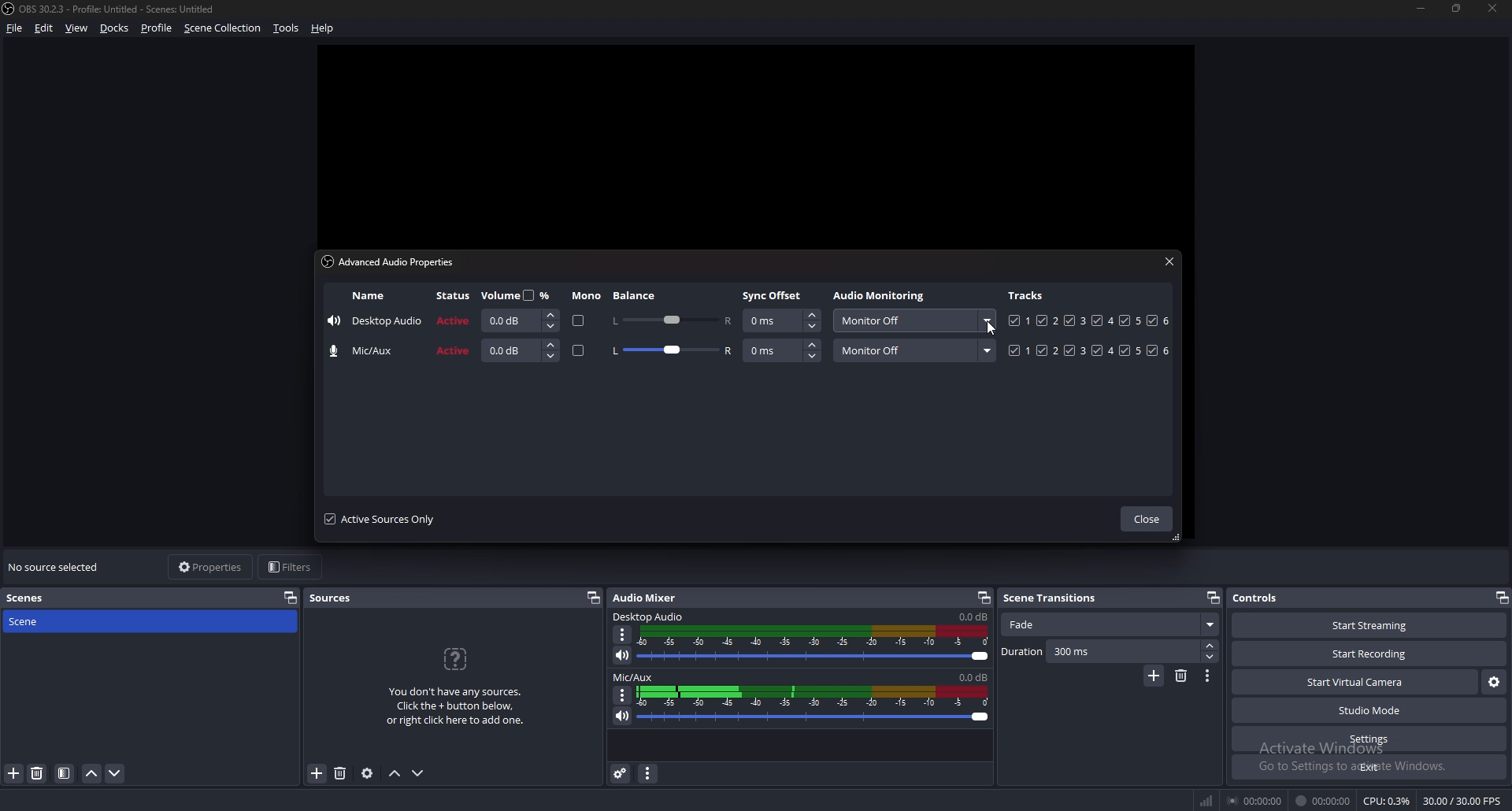 The width and height of the screenshot is (1512, 811). I want to click on edit, so click(43, 28).